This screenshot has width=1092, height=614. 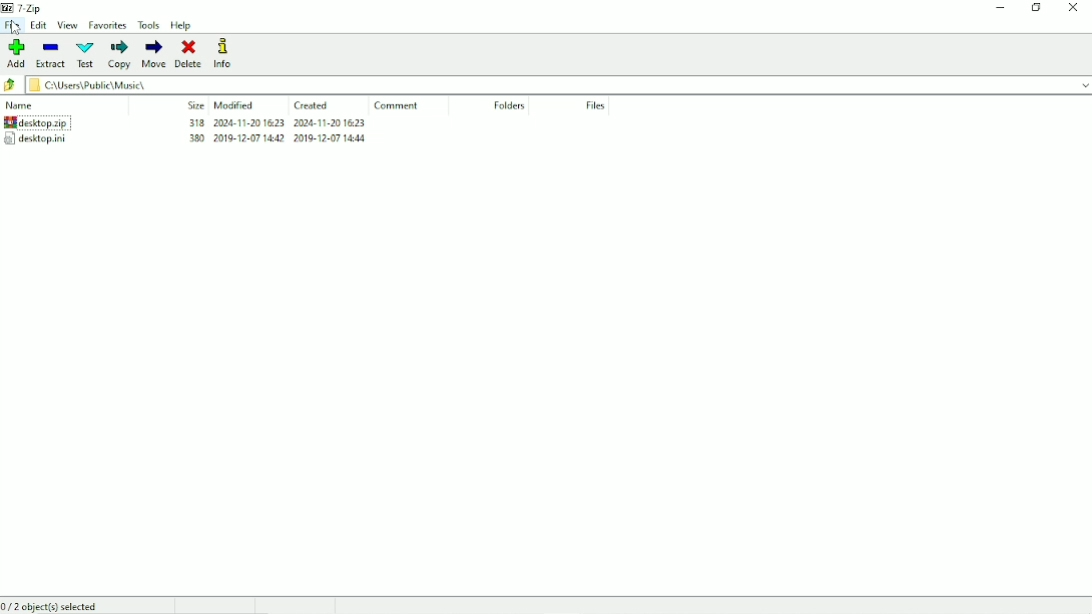 I want to click on 7 - Zip, so click(x=25, y=7).